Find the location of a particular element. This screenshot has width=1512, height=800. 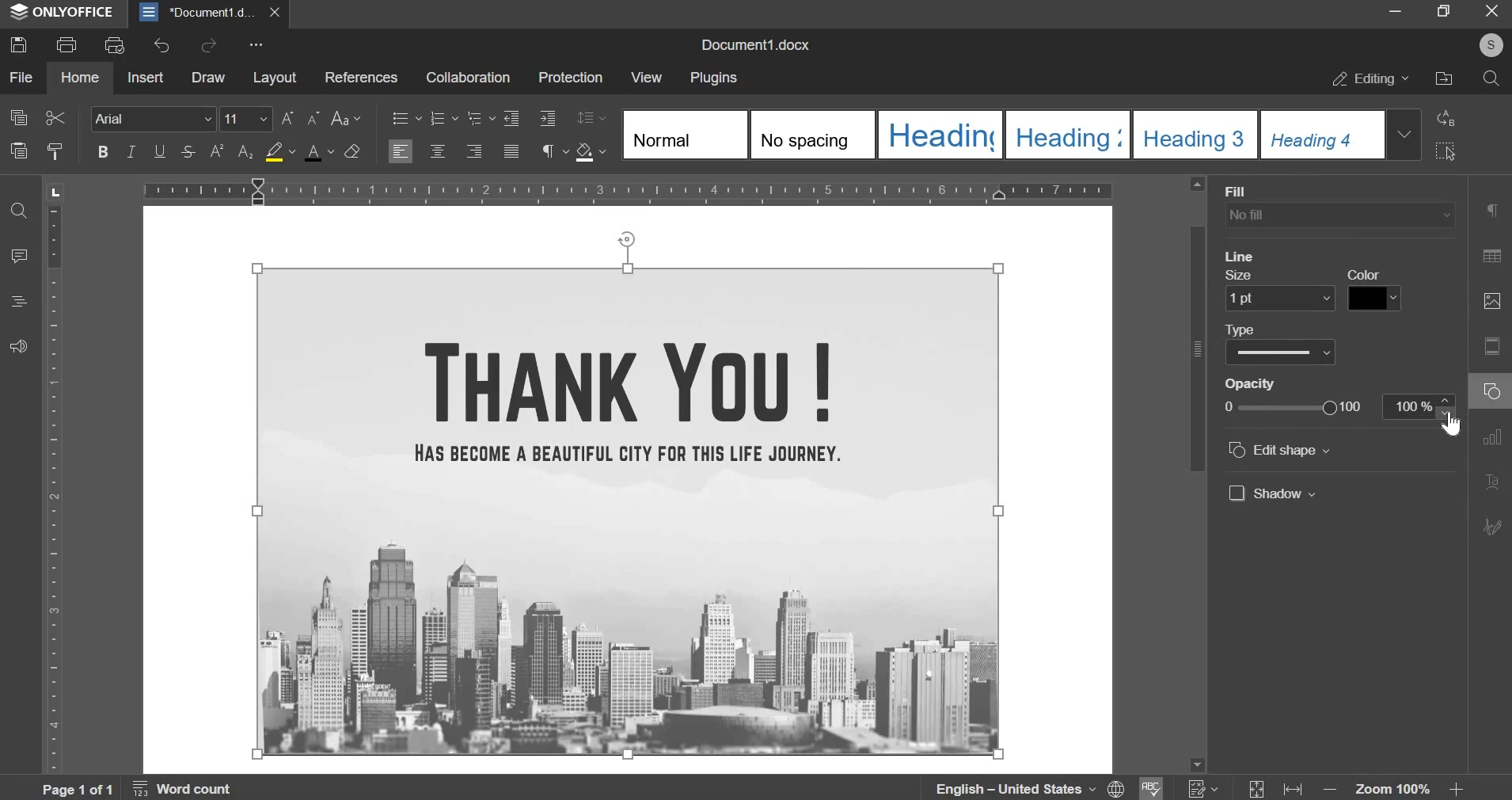

protection is located at coordinates (569, 79).